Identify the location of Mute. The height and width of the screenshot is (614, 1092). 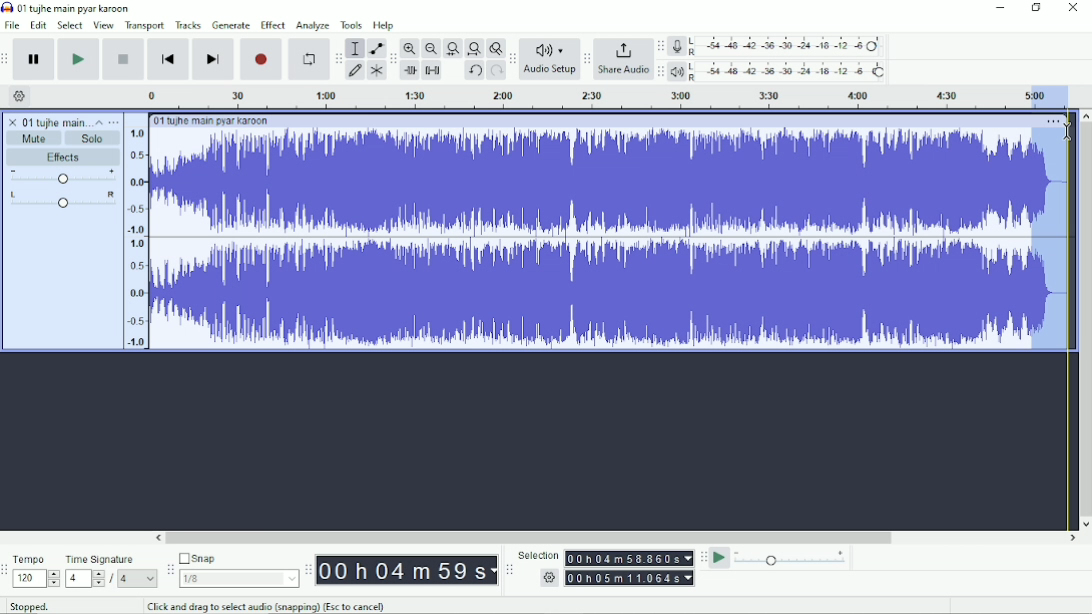
(34, 139).